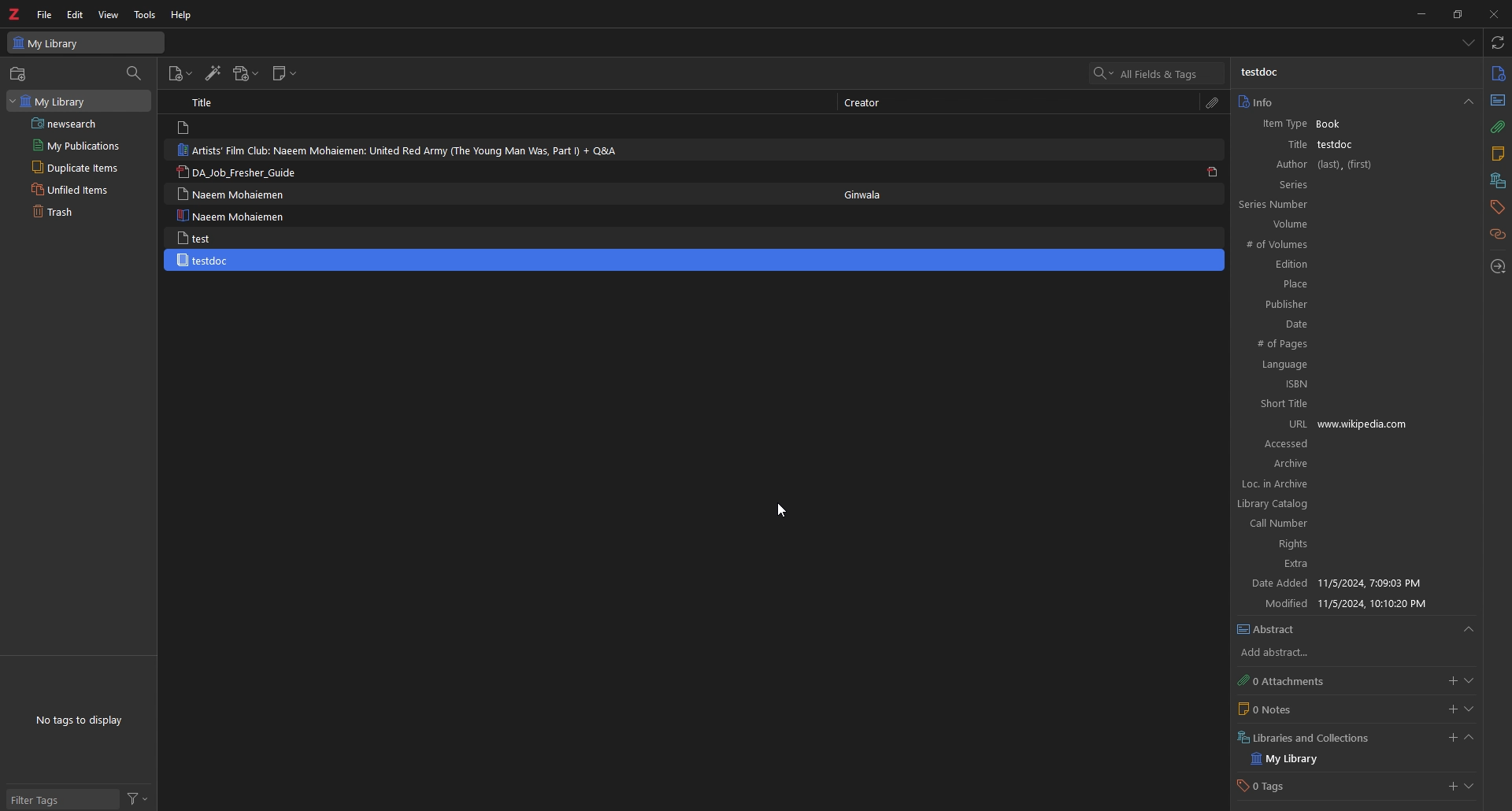  What do you see at coordinates (781, 513) in the screenshot?
I see `cursor` at bounding box center [781, 513].